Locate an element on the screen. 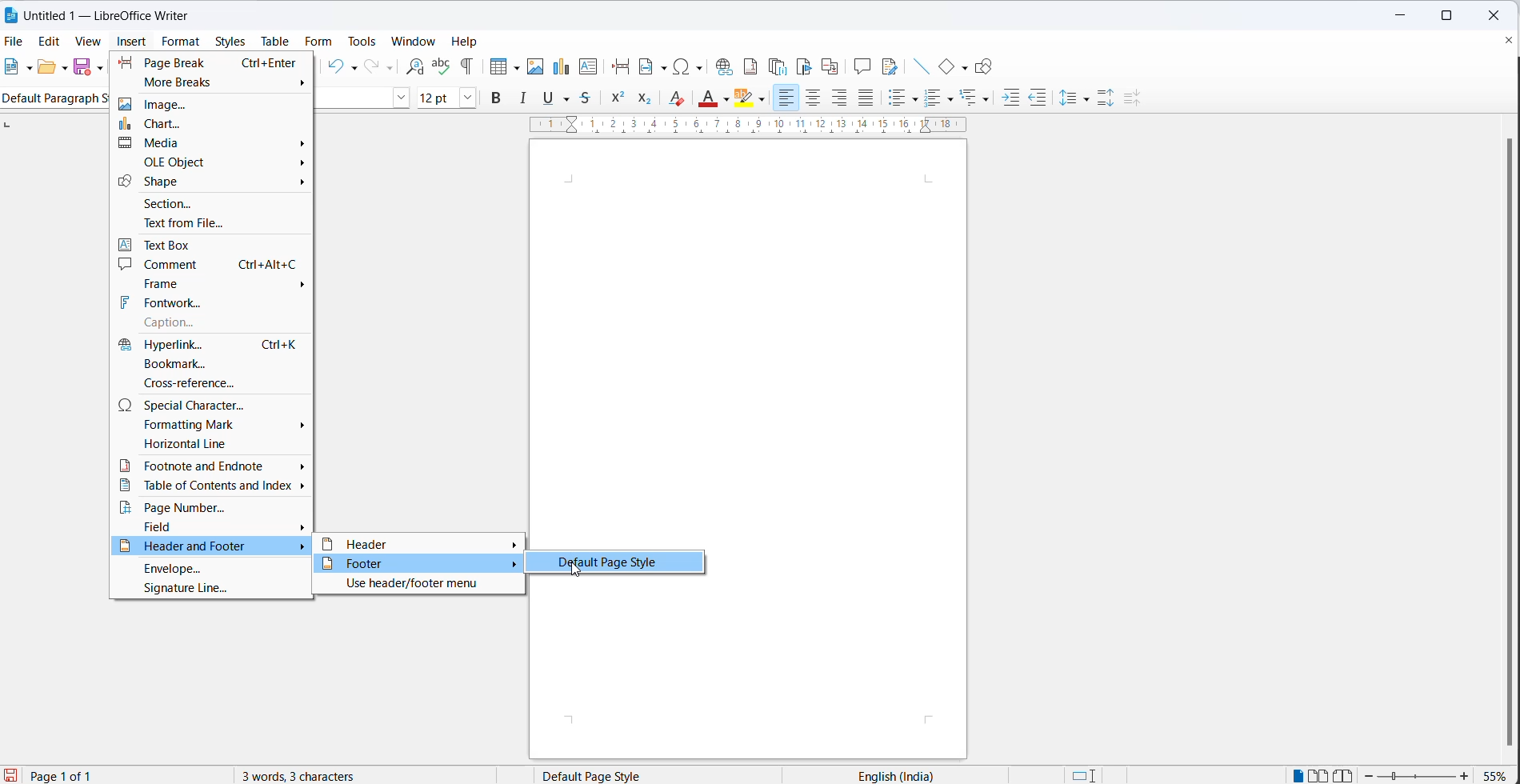 Image resolution: width=1520 pixels, height=784 pixels. toggle unordered list is located at coordinates (934, 100).